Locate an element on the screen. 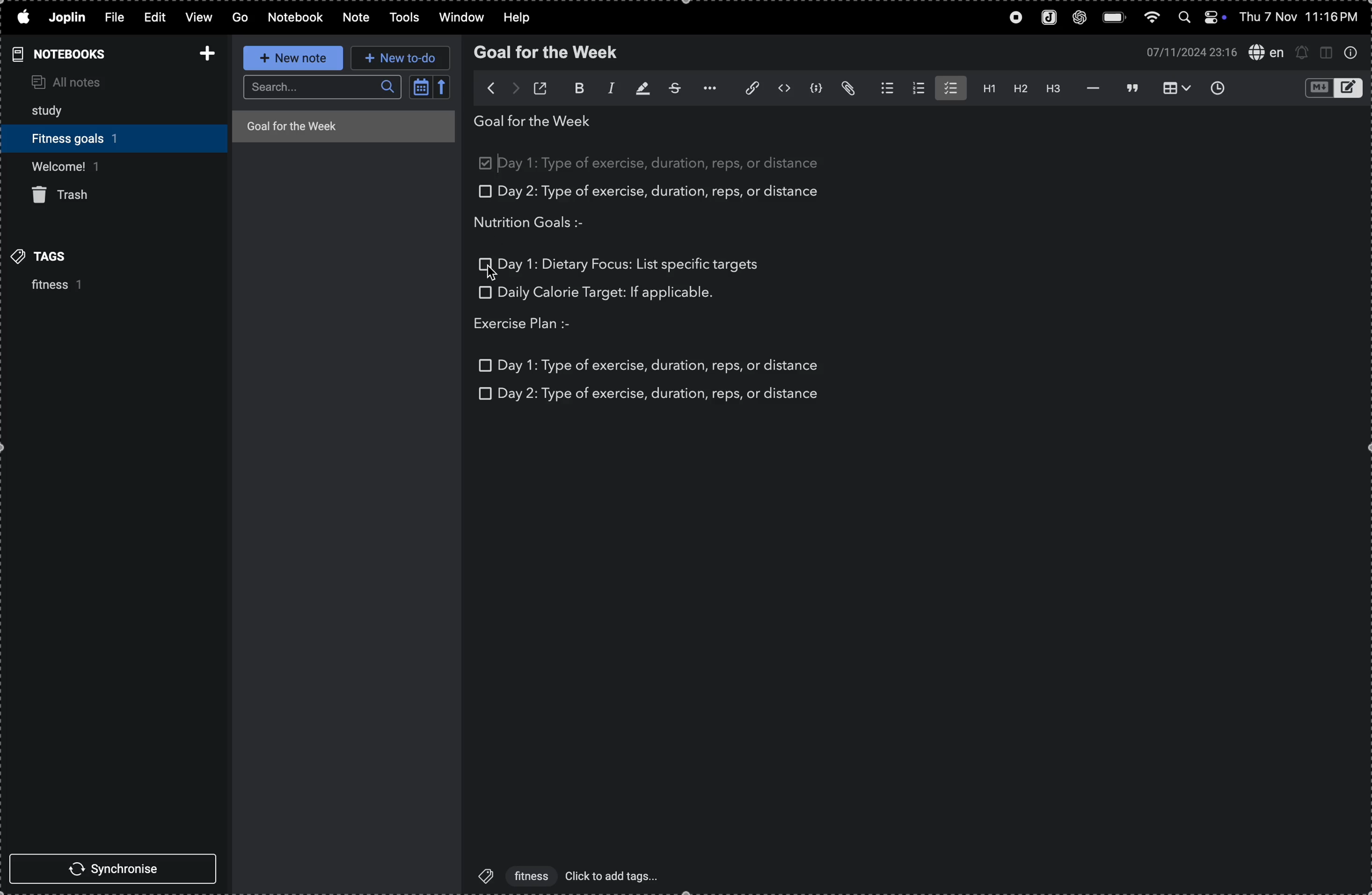 The width and height of the screenshot is (1372, 895). synchronise is located at coordinates (111, 868).